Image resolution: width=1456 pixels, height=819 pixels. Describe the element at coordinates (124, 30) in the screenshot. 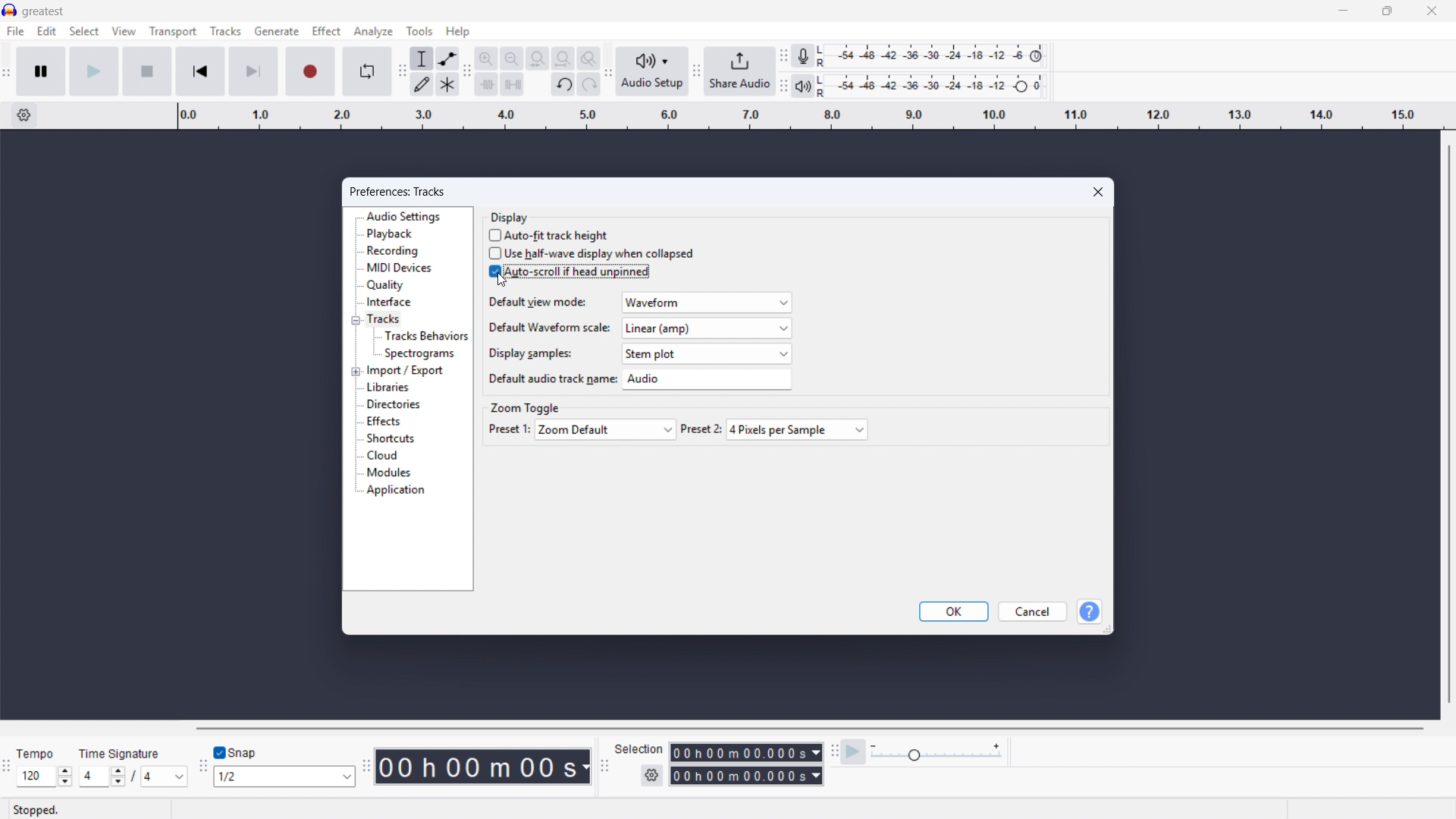

I see `view ` at that location.